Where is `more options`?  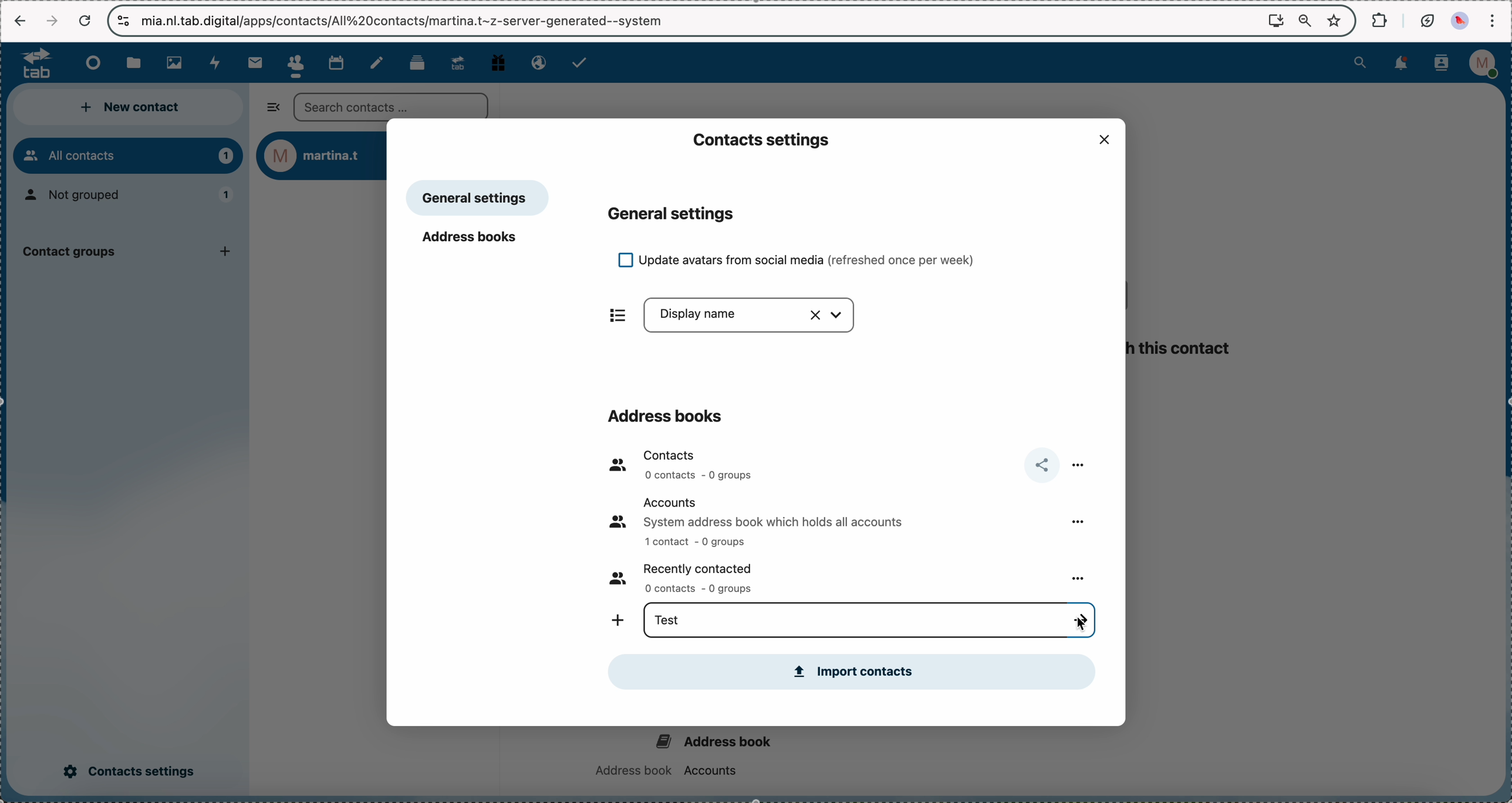 more options is located at coordinates (1075, 521).